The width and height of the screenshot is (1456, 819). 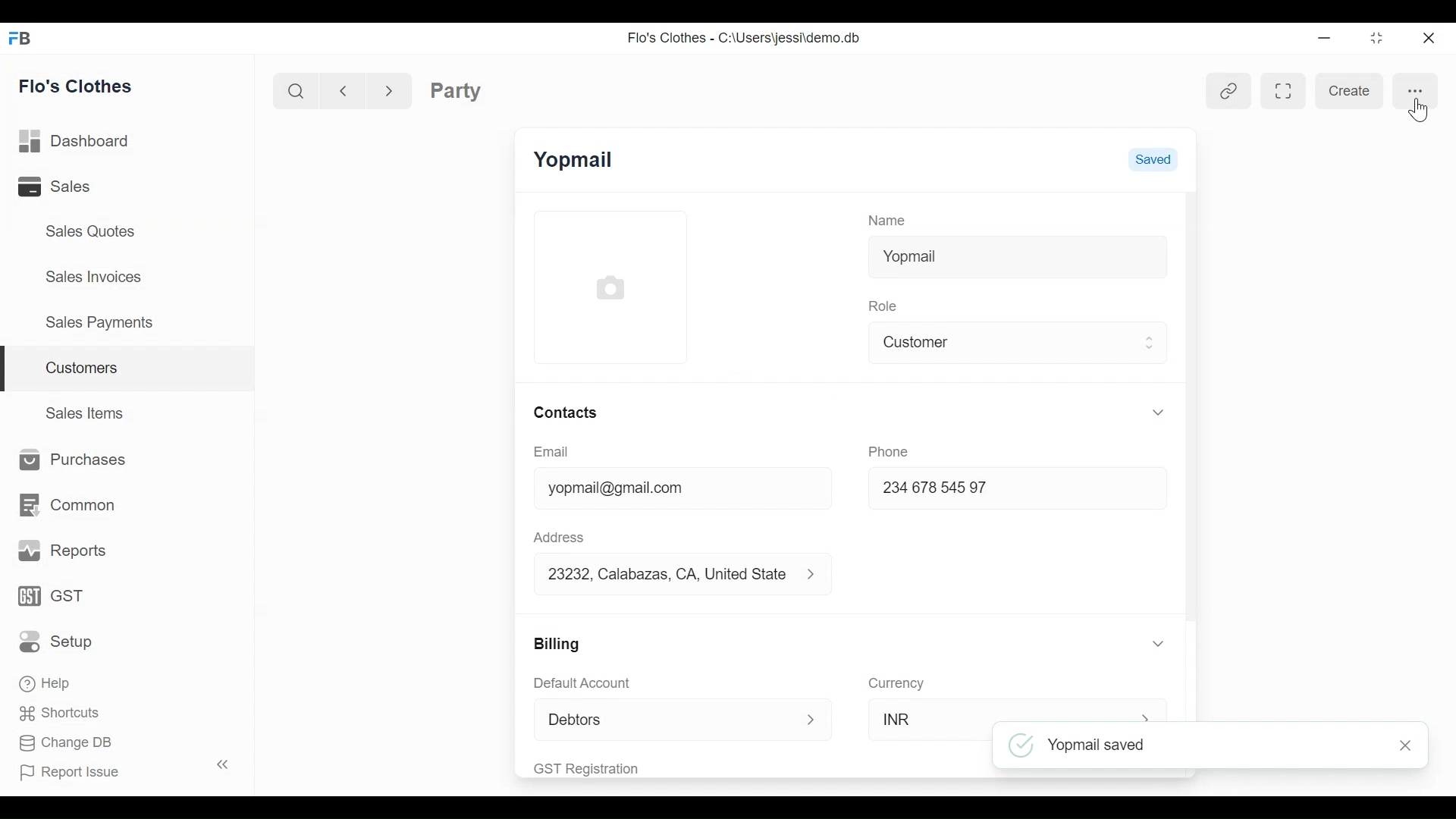 What do you see at coordinates (65, 505) in the screenshot?
I see `Common` at bounding box center [65, 505].